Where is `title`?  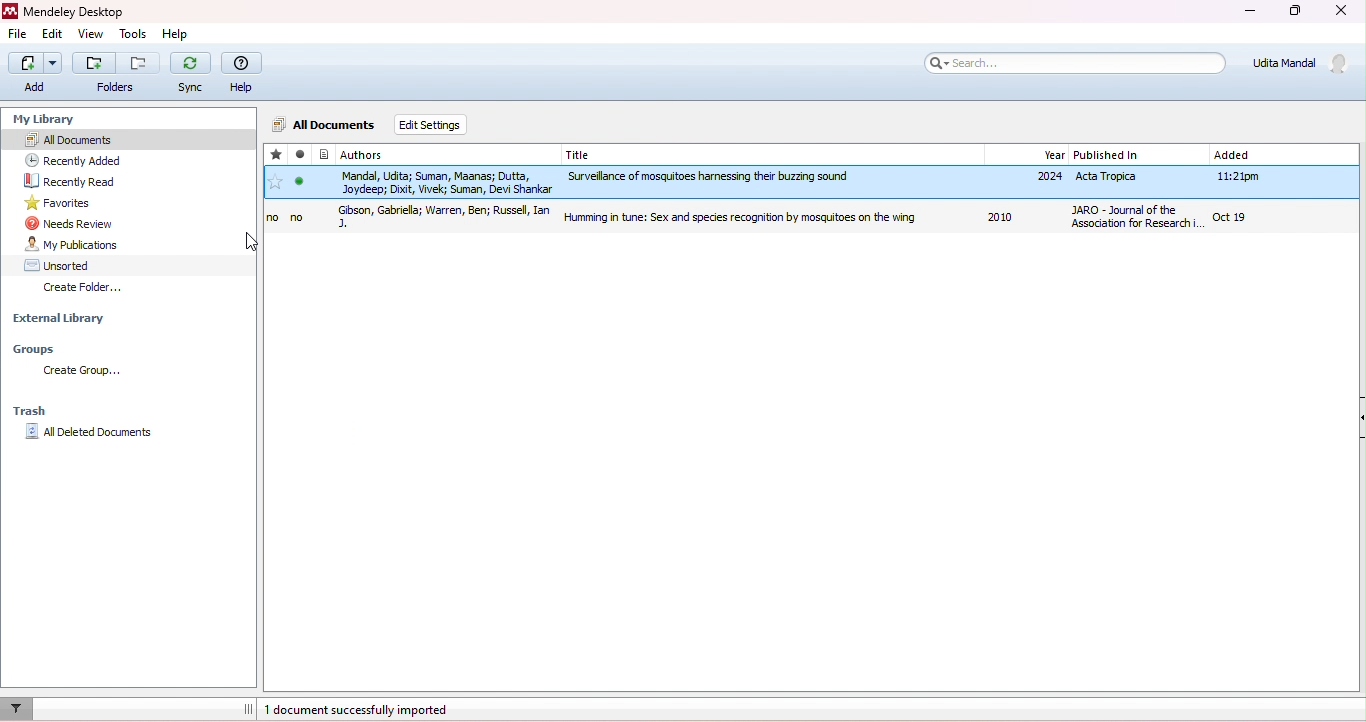
title is located at coordinates (579, 154).